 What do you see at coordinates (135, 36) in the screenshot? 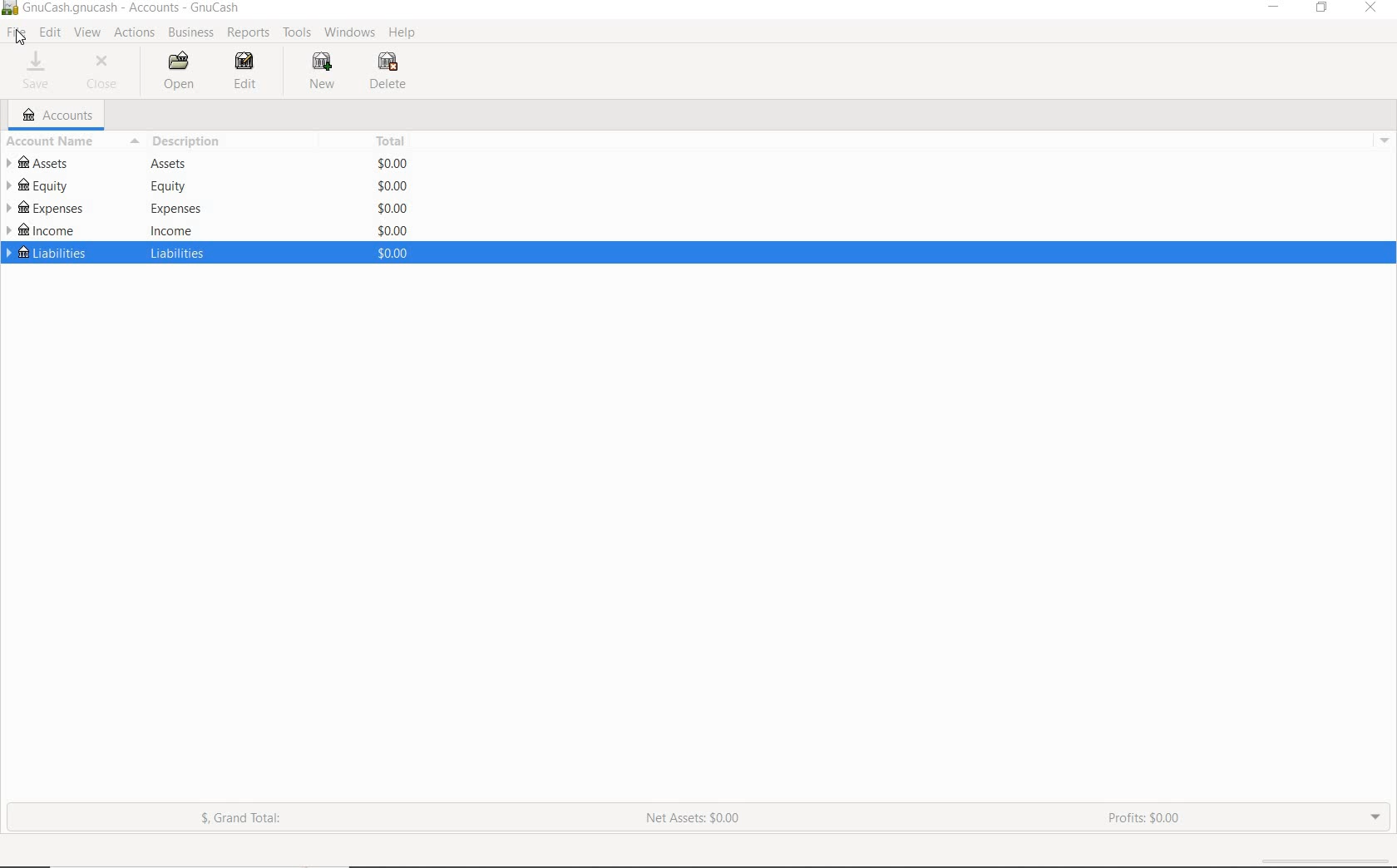
I see `ACTIONS` at bounding box center [135, 36].